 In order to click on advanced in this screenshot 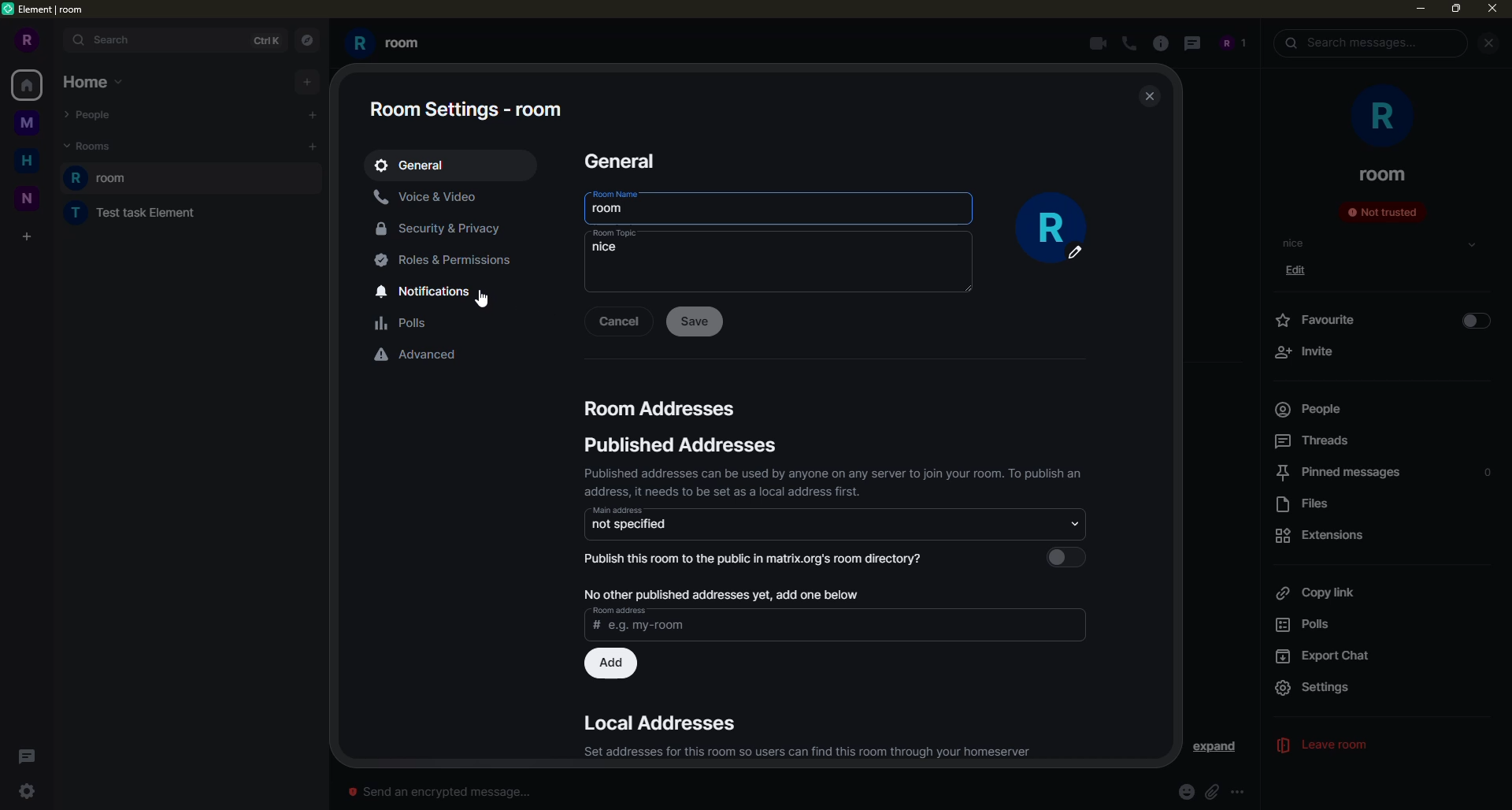, I will do `click(415, 355)`.